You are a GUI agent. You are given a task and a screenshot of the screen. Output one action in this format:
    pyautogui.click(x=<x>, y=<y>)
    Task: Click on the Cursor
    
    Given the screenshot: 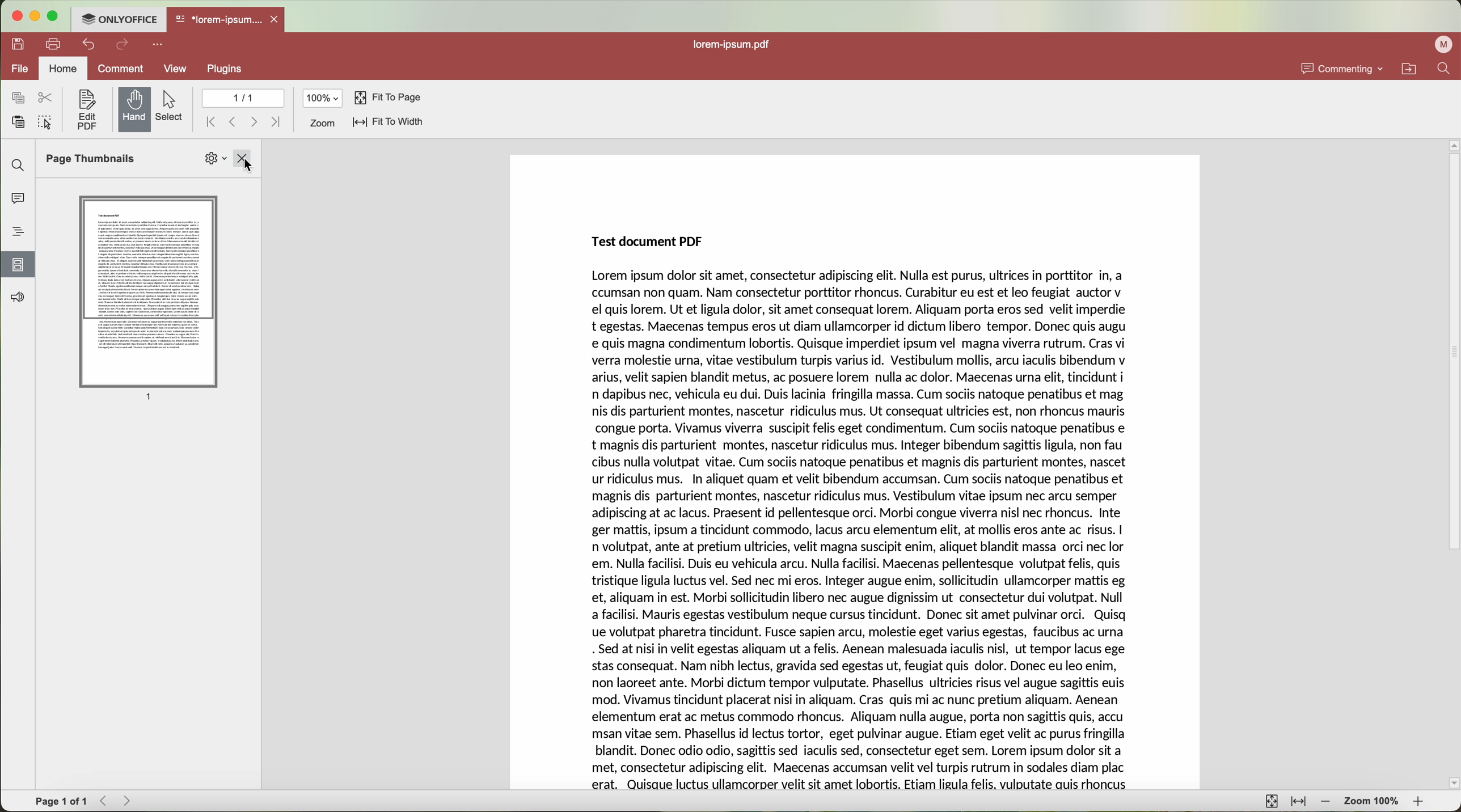 What is the action you would take?
    pyautogui.click(x=250, y=170)
    